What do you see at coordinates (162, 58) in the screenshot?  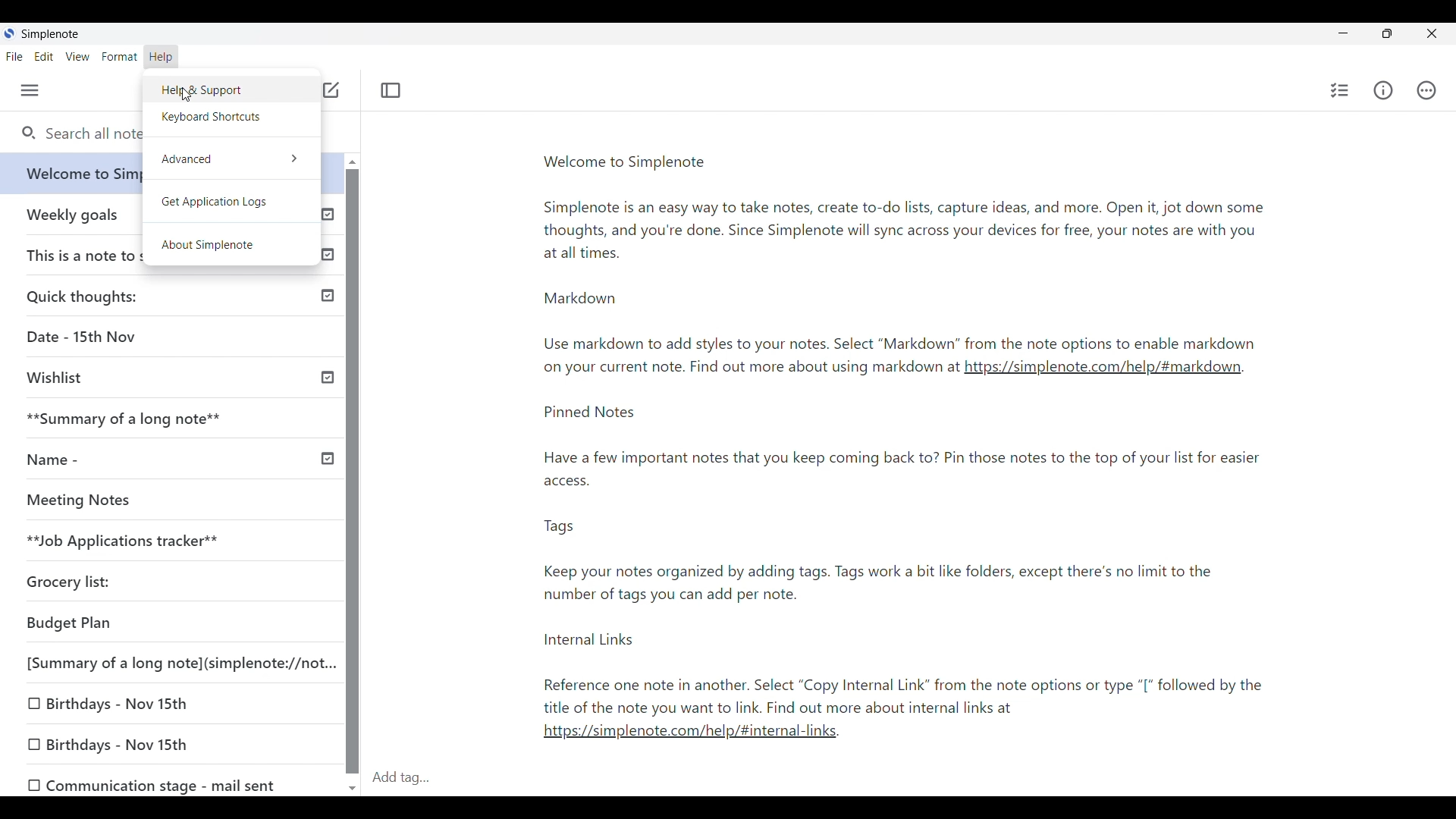 I see `Help menu` at bounding box center [162, 58].